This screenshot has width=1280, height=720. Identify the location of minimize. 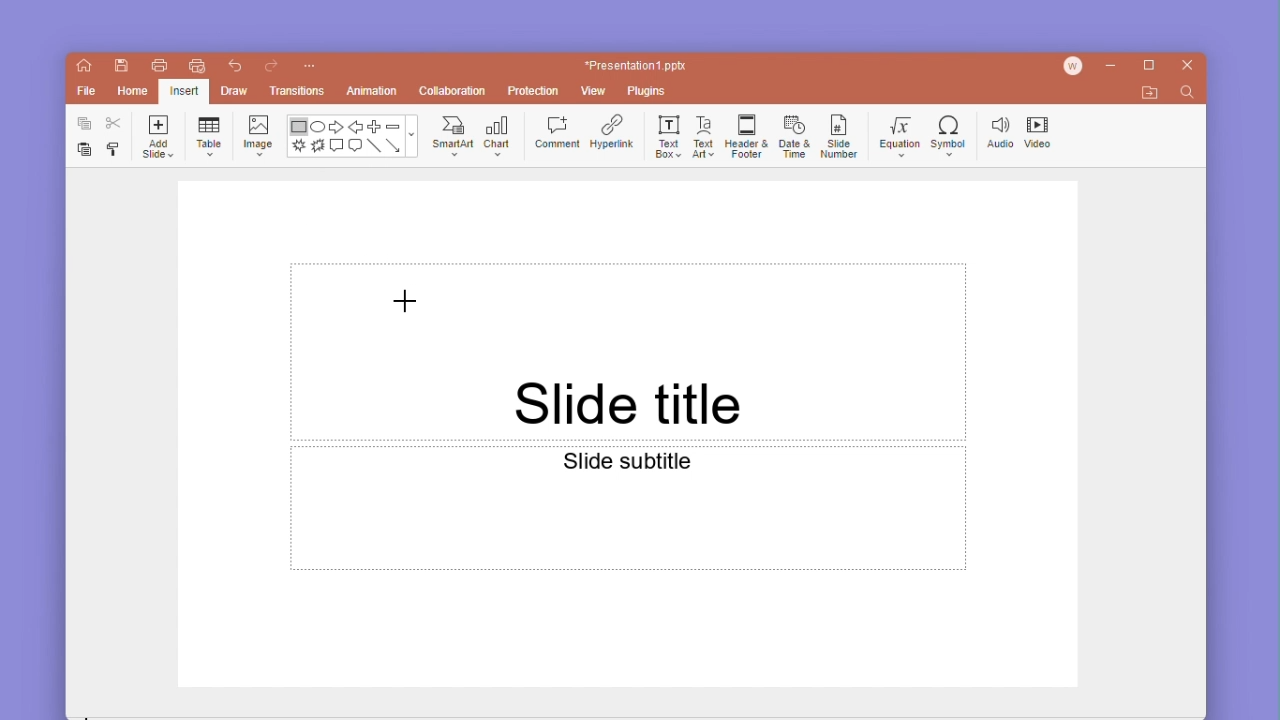
(1113, 67).